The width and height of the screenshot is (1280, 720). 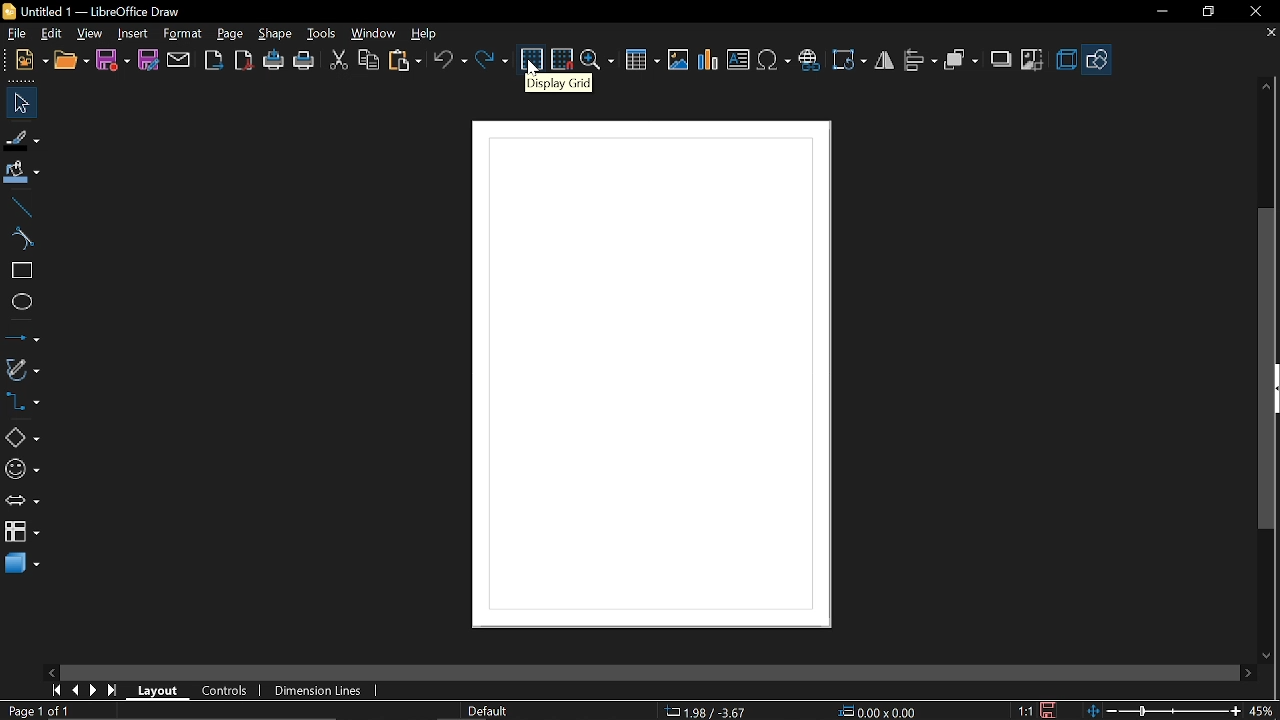 What do you see at coordinates (94, 692) in the screenshot?
I see `next page` at bounding box center [94, 692].